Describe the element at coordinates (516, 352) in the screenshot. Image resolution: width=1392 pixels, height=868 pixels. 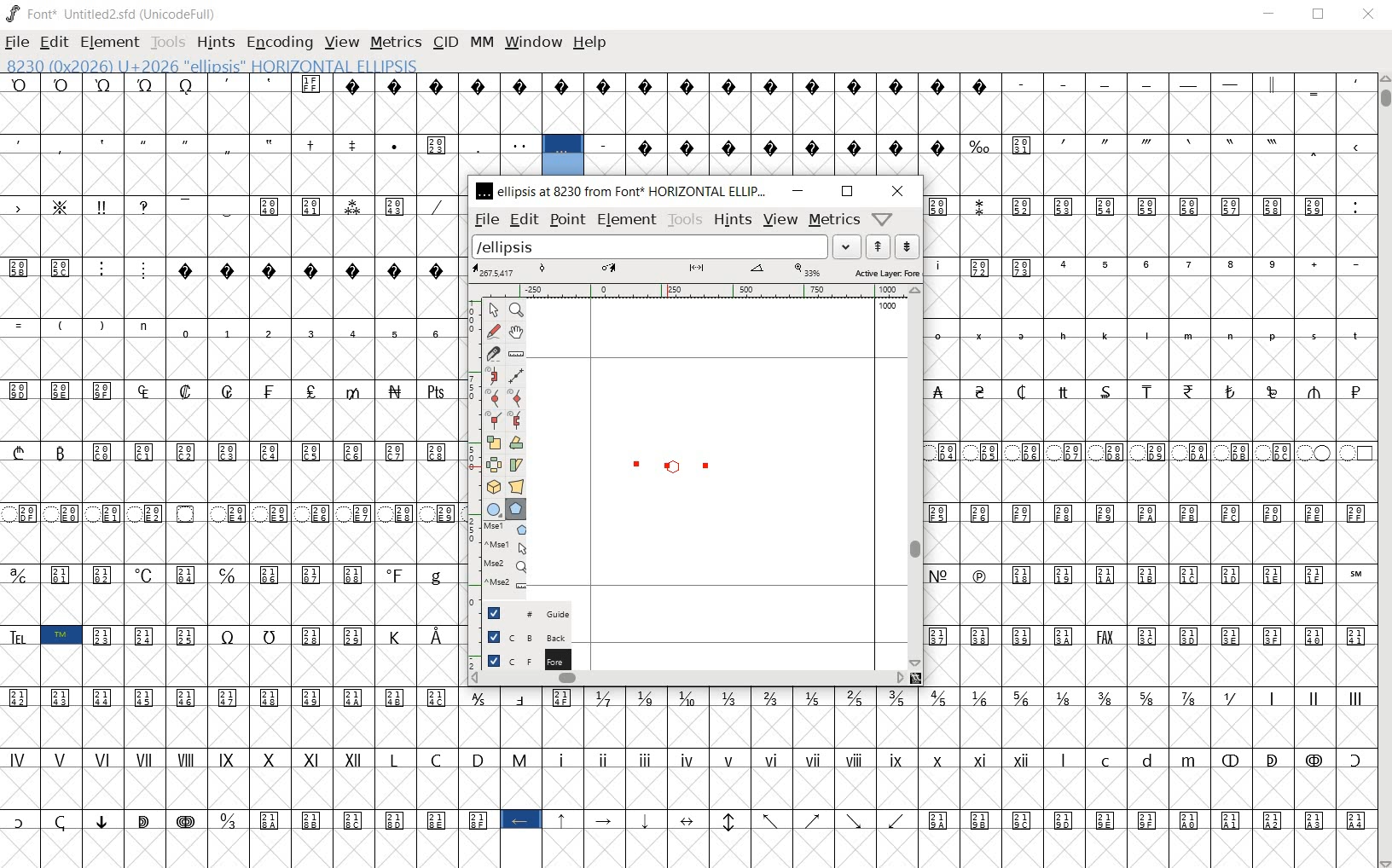
I see `measure a distance, angle between points` at that location.